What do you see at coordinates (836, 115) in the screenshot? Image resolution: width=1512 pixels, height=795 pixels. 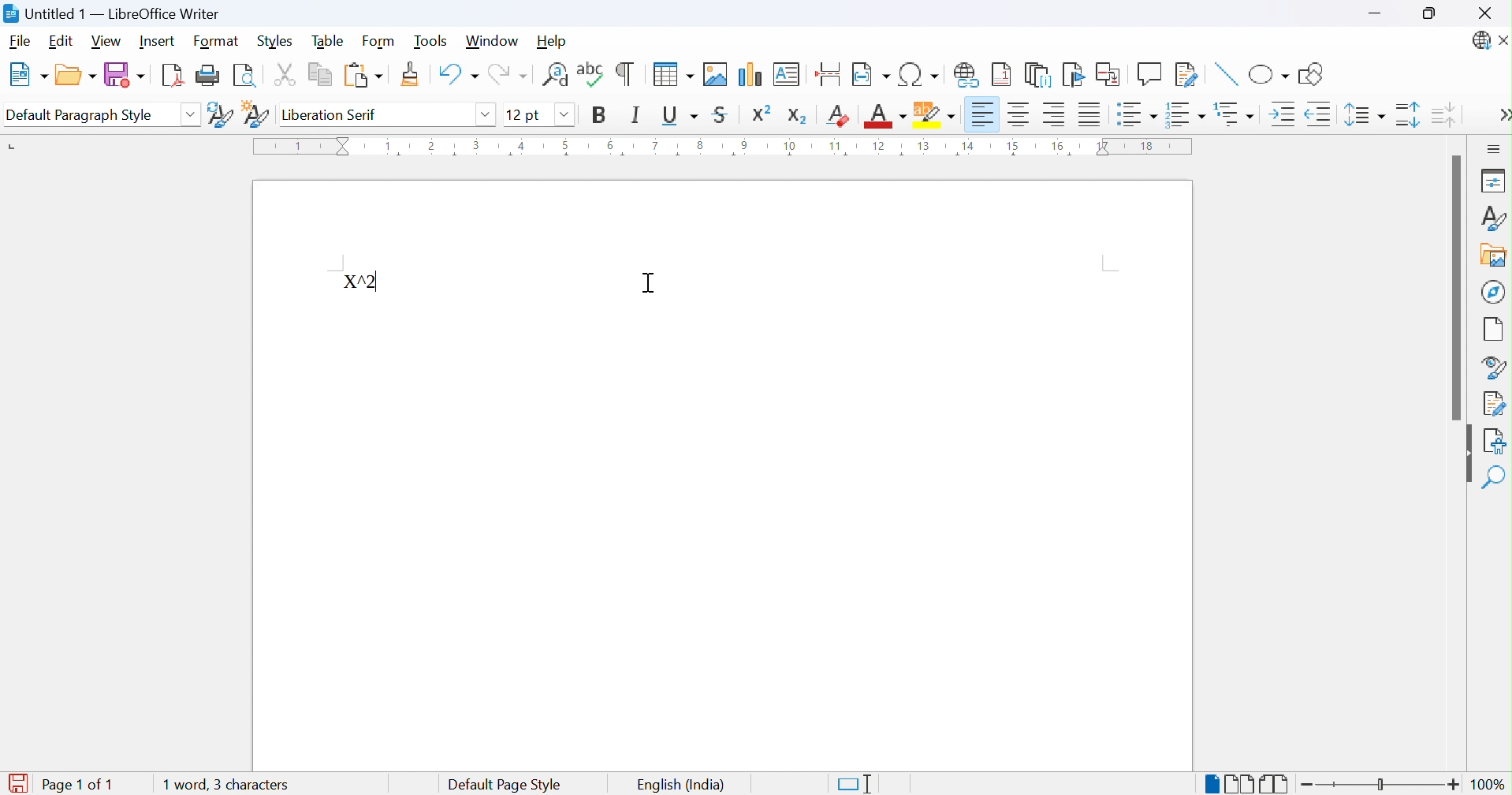 I see `Clear direct formatting` at bounding box center [836, 115].